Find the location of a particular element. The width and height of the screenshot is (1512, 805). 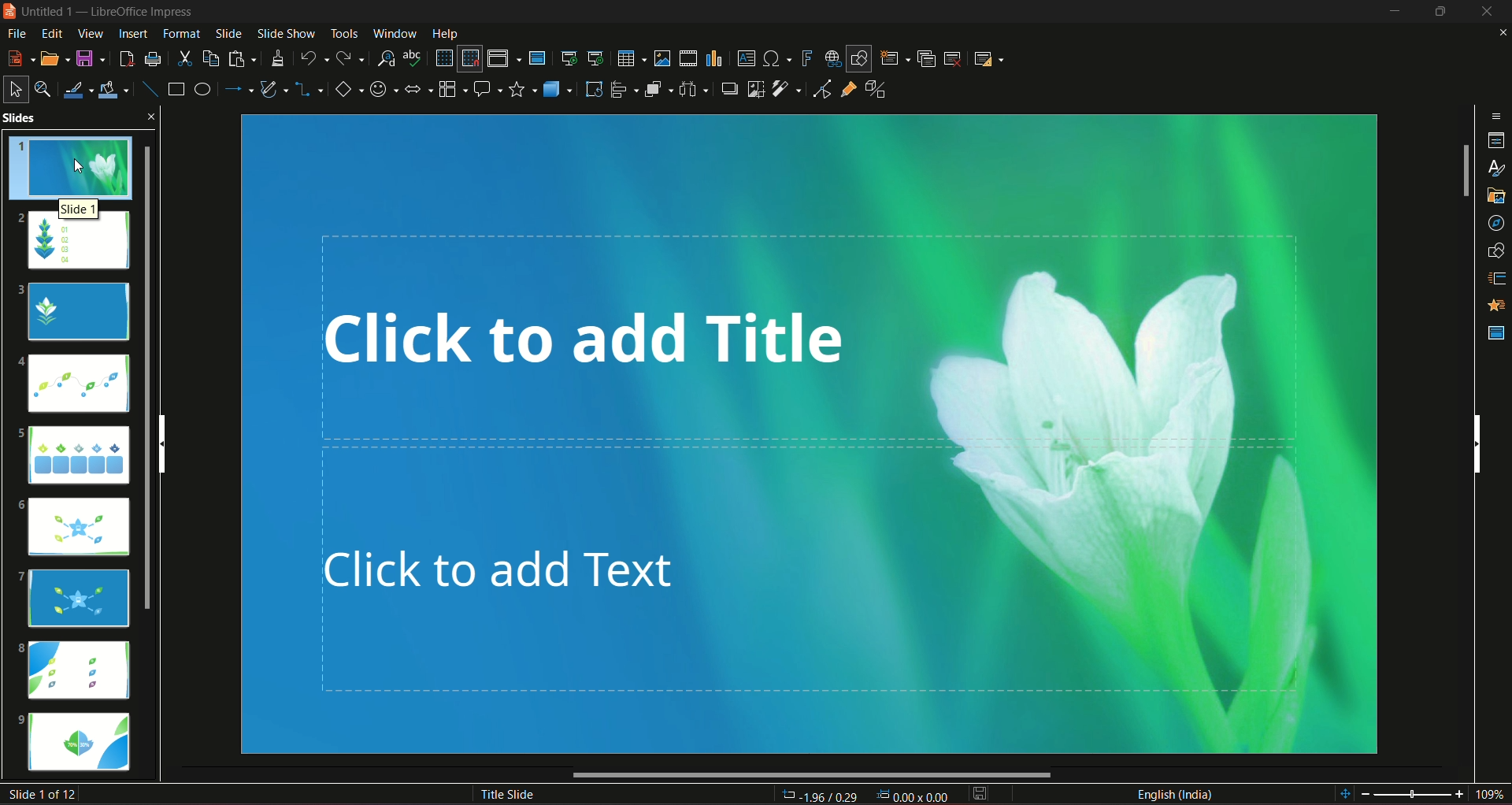

cursor is located at coordinates (81, 166).